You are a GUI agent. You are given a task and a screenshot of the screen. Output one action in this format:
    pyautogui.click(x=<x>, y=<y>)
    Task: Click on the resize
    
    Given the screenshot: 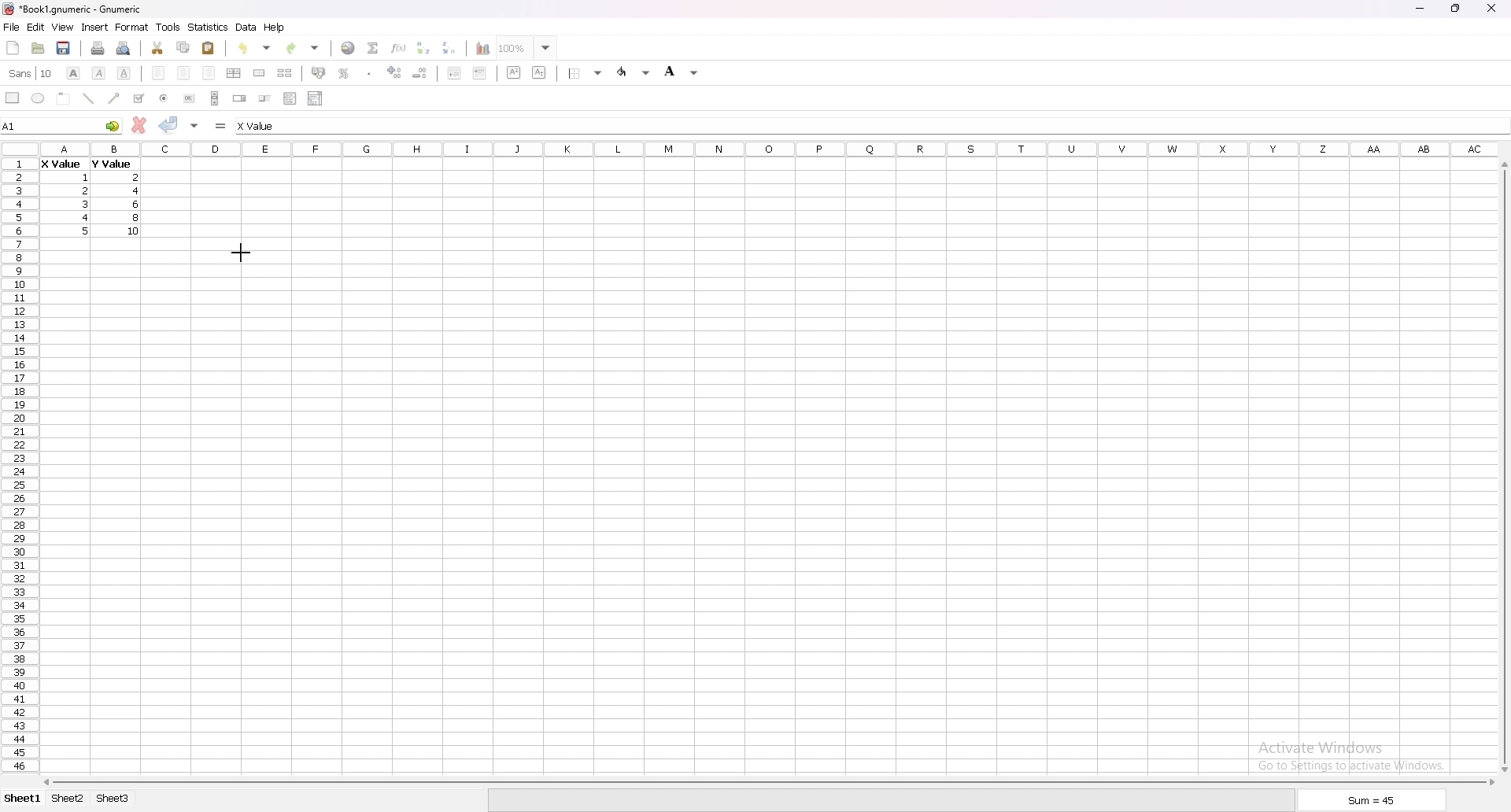 What is the action you would take?
    pyautogui.click(x=1457, y=9)
    